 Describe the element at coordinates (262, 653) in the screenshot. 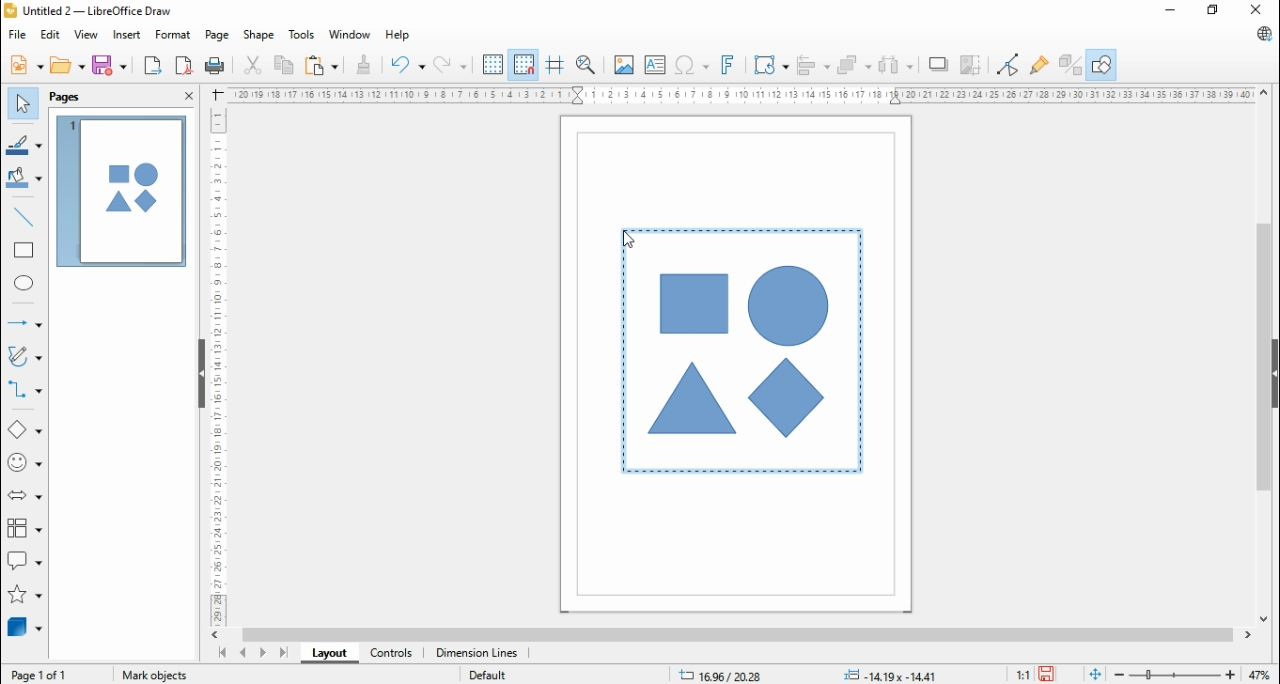

I see `next page` at that location.